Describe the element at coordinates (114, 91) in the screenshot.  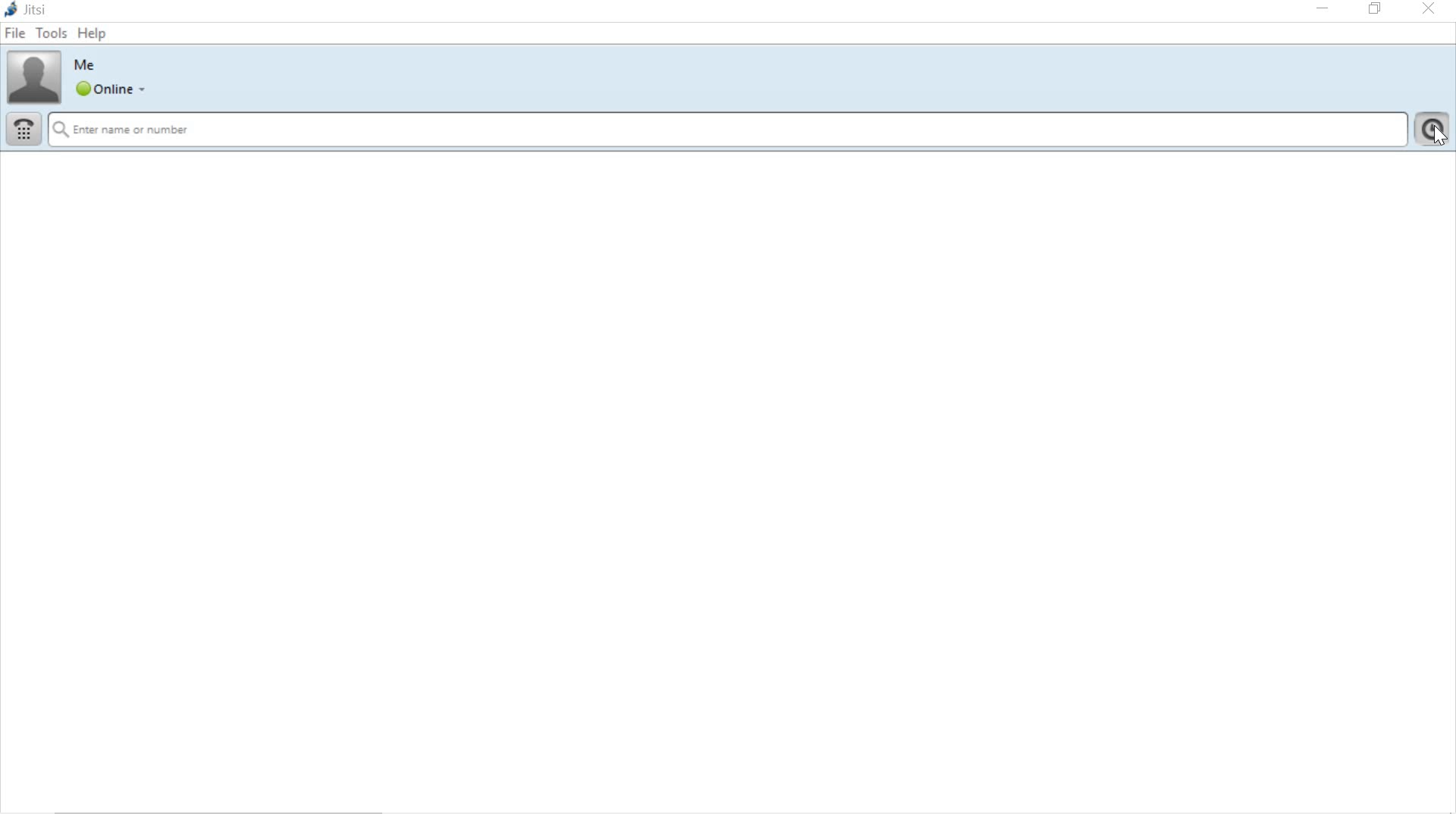
I see `global status` at that location.